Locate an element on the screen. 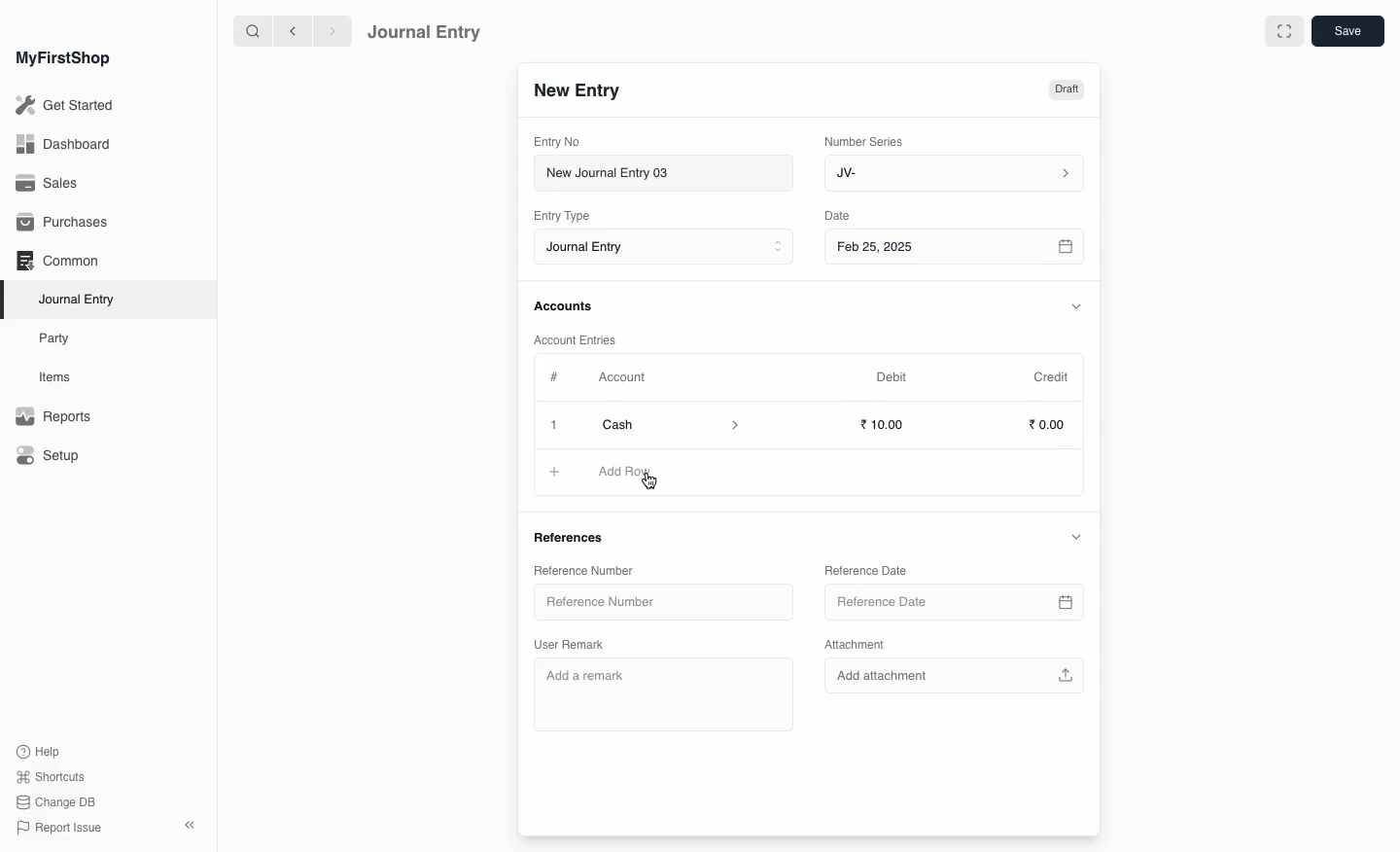 The width and height of the screenshot is (1400, 852). Journal Entry is located at coordinates (82, 299).